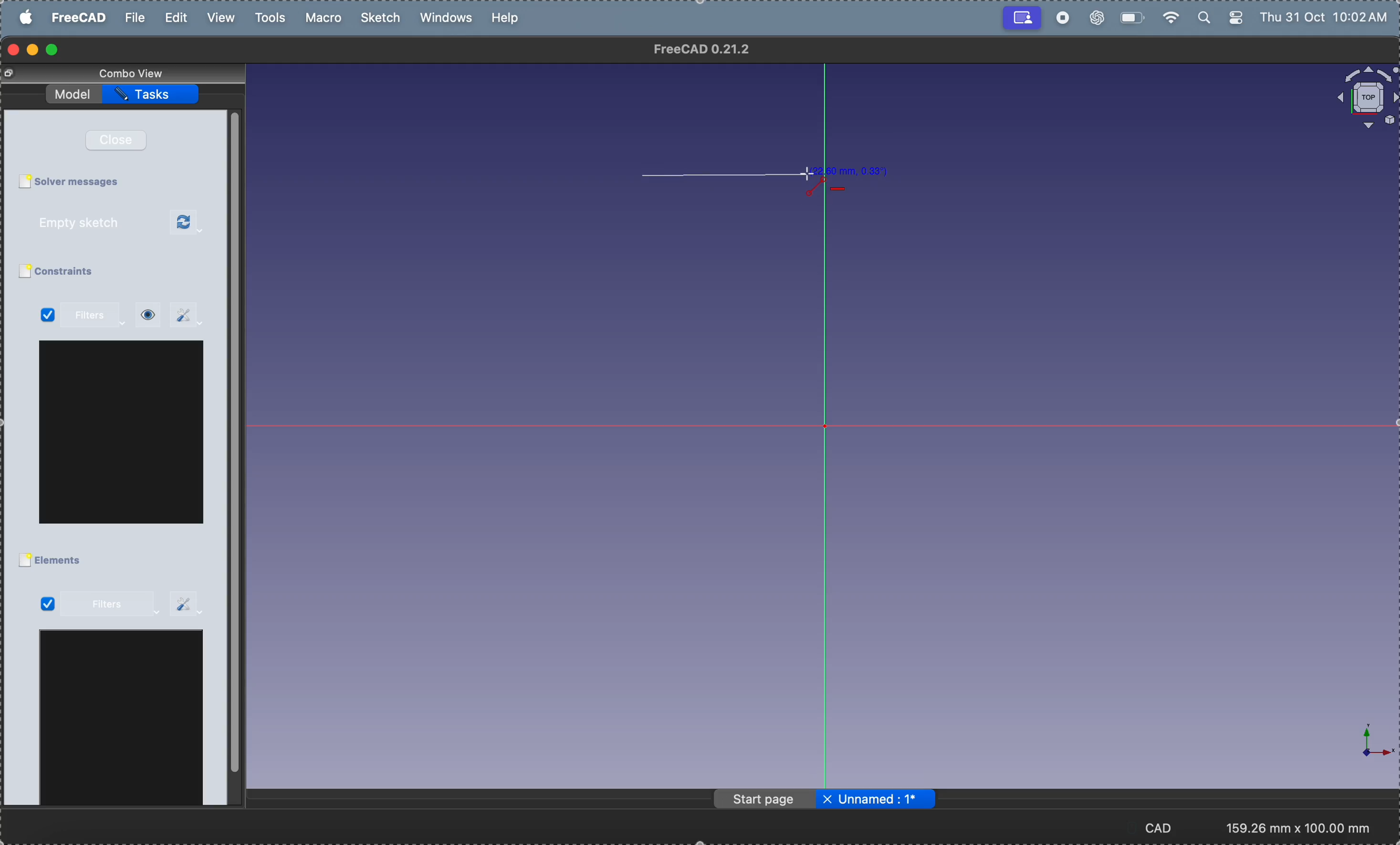 The width and height of the screenshot is (1400, 845). What do you see at coordinates (848, 170) in the screenshot?
I see `(122.60 mm, 0.33)` at bounding box center [848, 170].